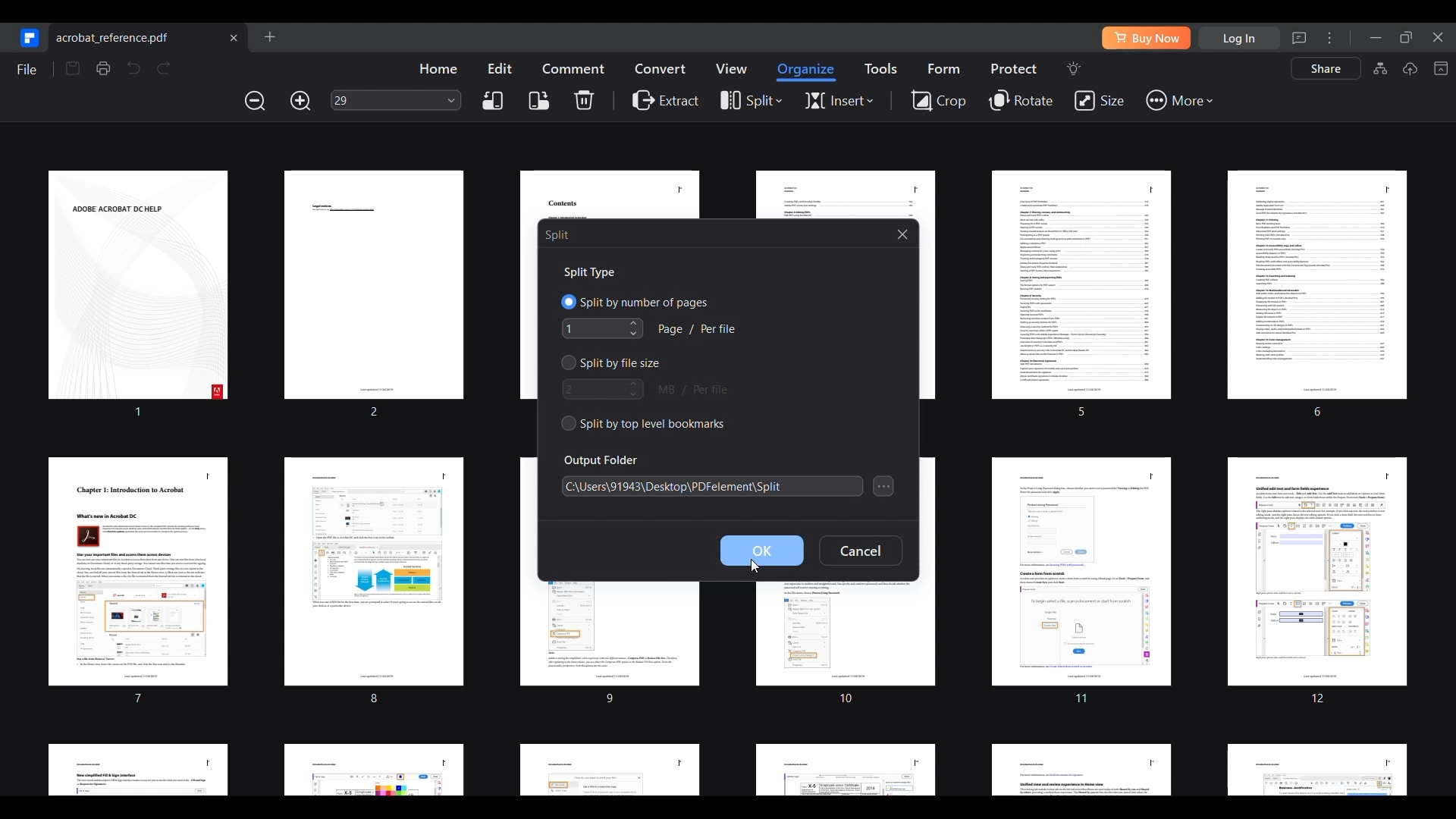  I want to click on Search tools, so click(1073, 68).